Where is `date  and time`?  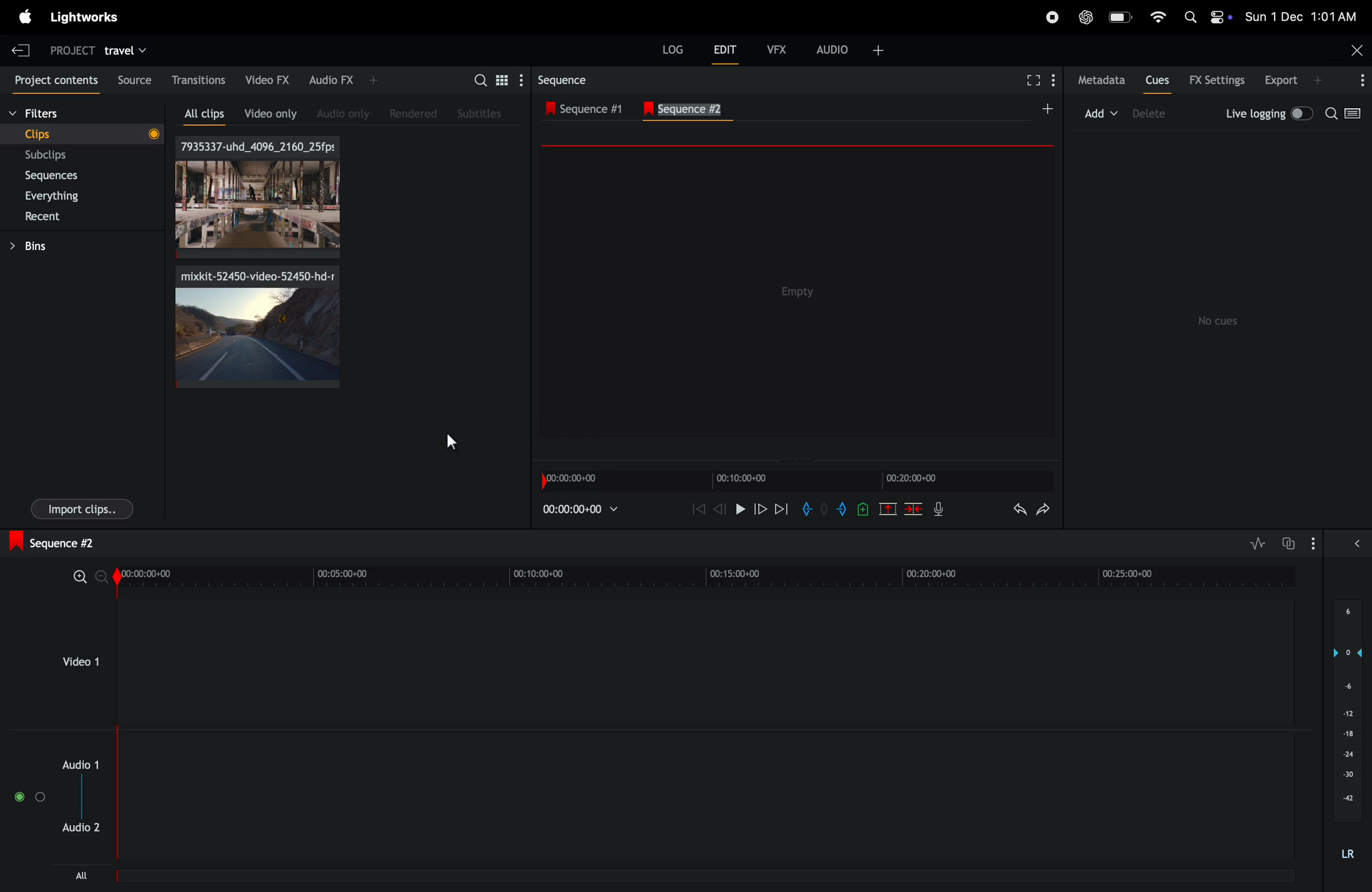 date  and time is located at coordinates (1301, 14).